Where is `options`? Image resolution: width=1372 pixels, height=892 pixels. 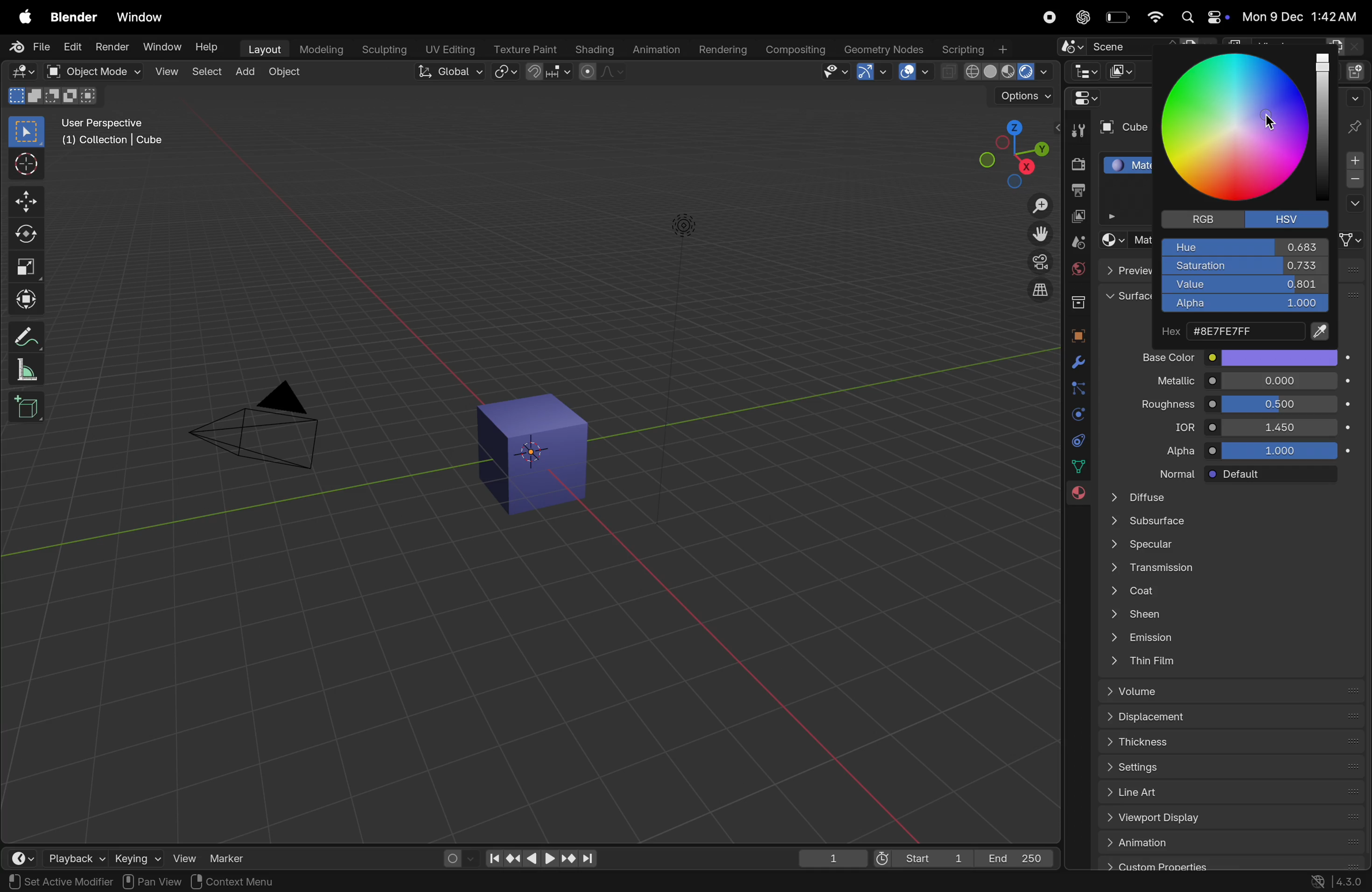 options is located at coordinates (1354, 205).